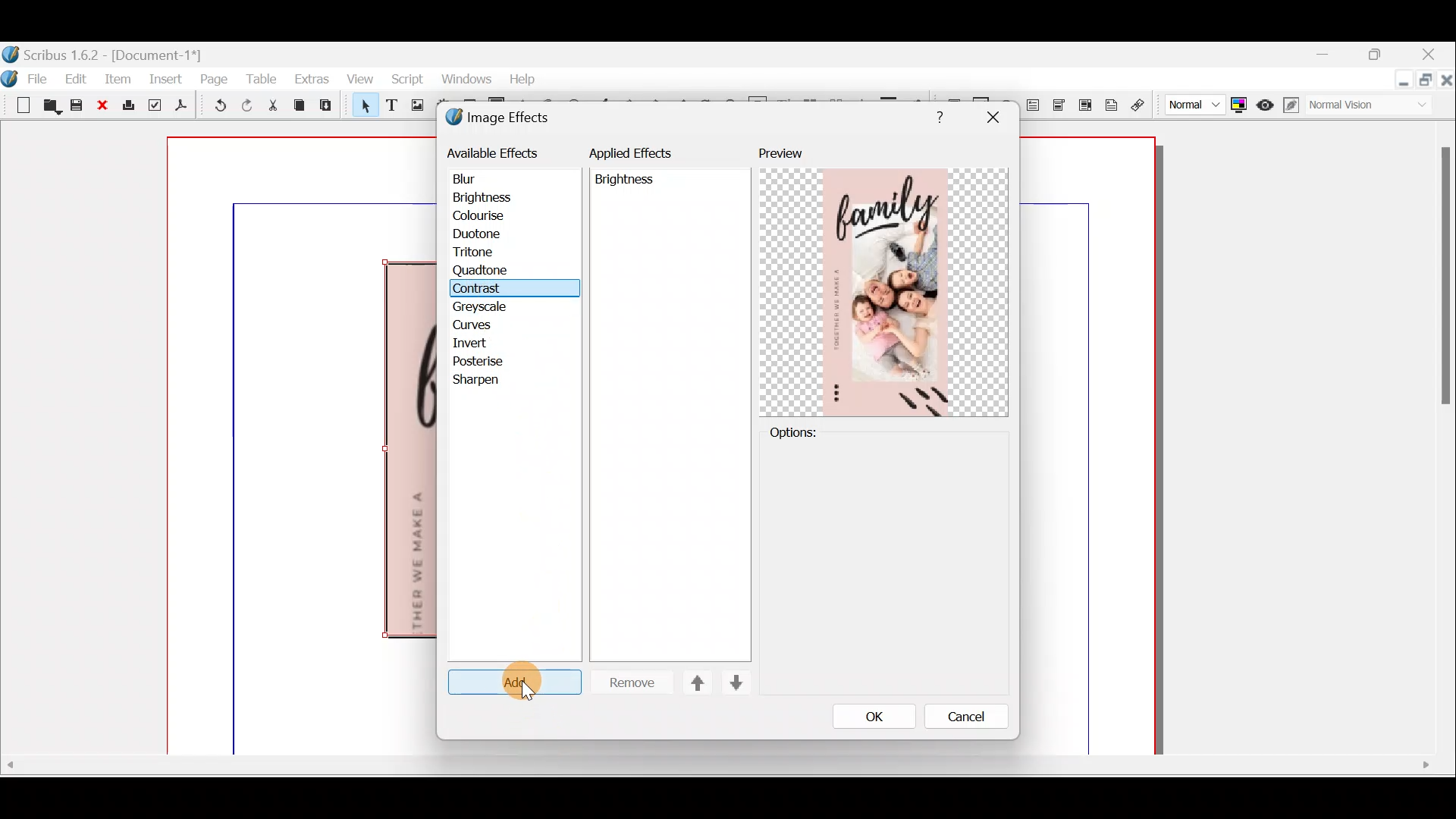  What do you see at coordinates (11, 77) in the screenshot?
I see `Logo` at bounding box center [11, 77].